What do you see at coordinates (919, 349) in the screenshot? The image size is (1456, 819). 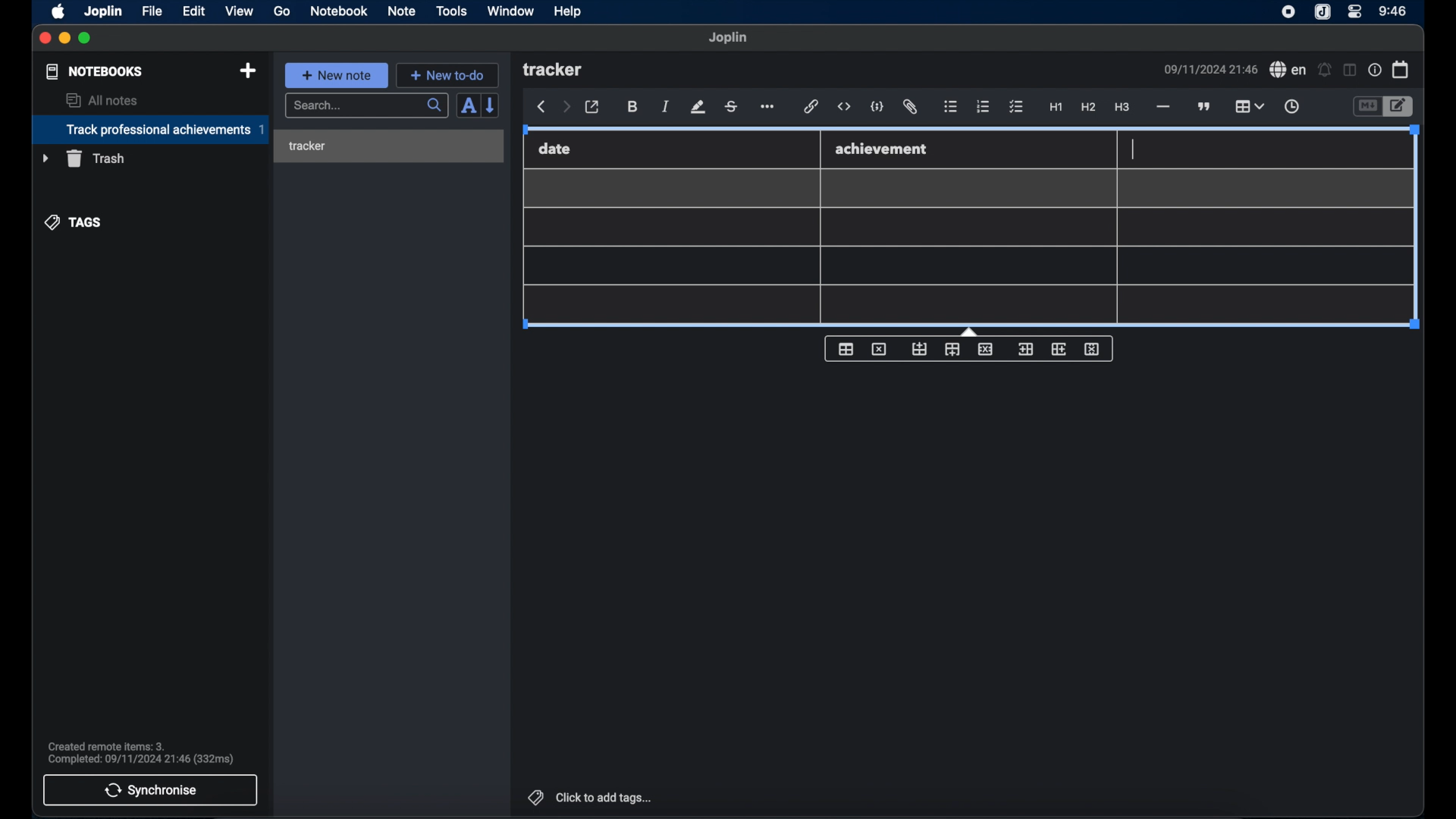 I see `insert row before` at bounding box center [919, 349].